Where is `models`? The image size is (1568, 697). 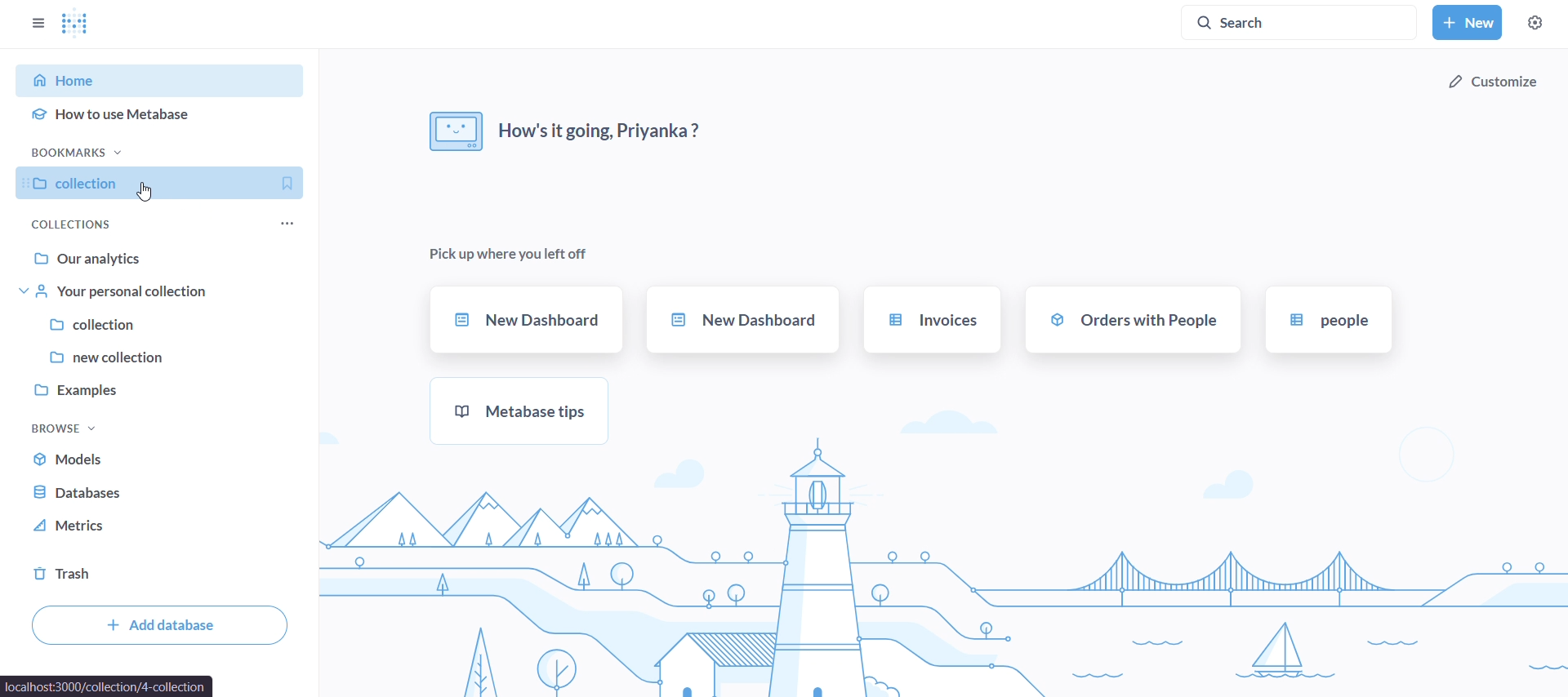 models is located at coordinates (147, 458).